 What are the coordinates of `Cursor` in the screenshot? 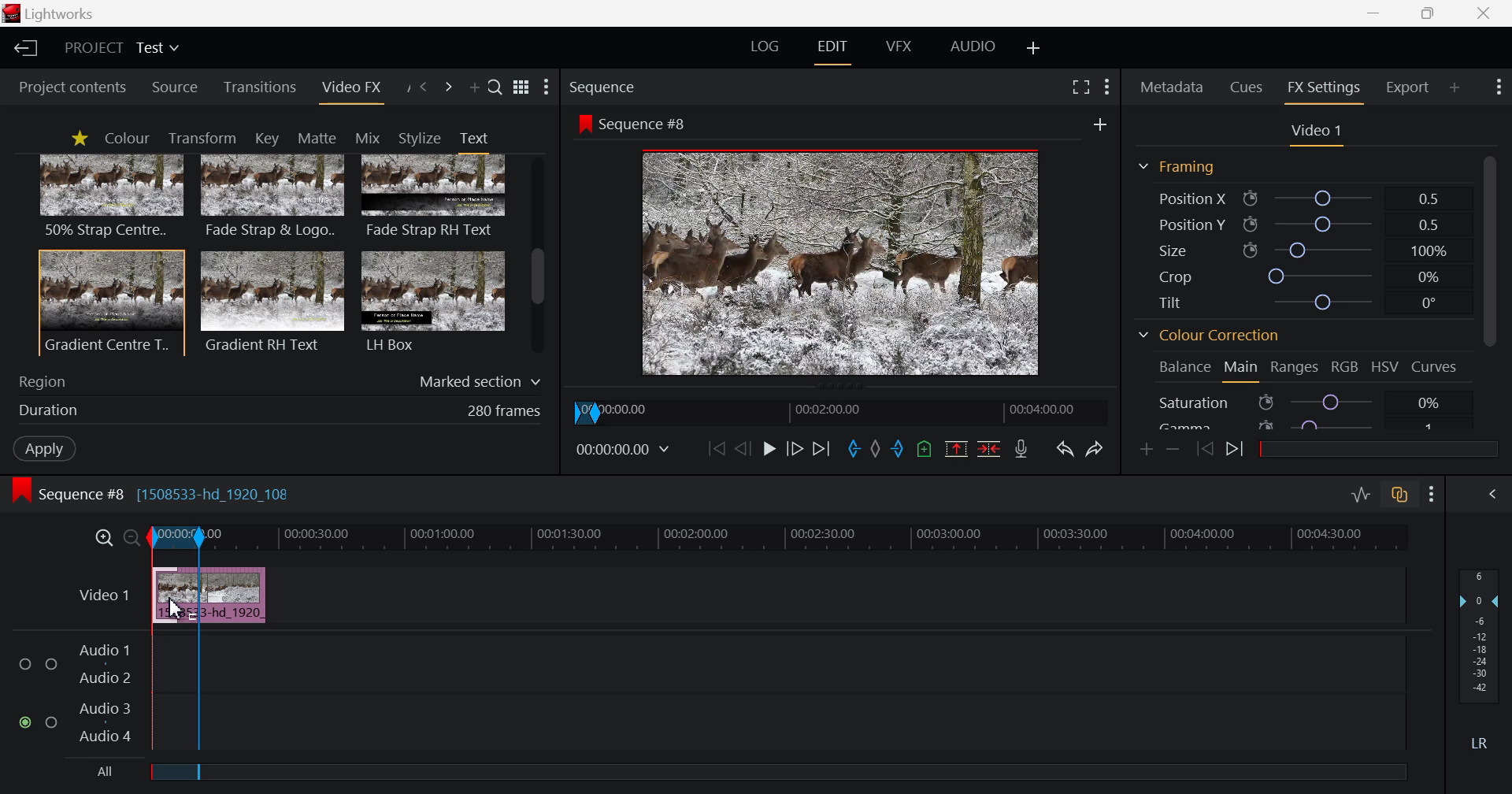 It's located at (177, 603).